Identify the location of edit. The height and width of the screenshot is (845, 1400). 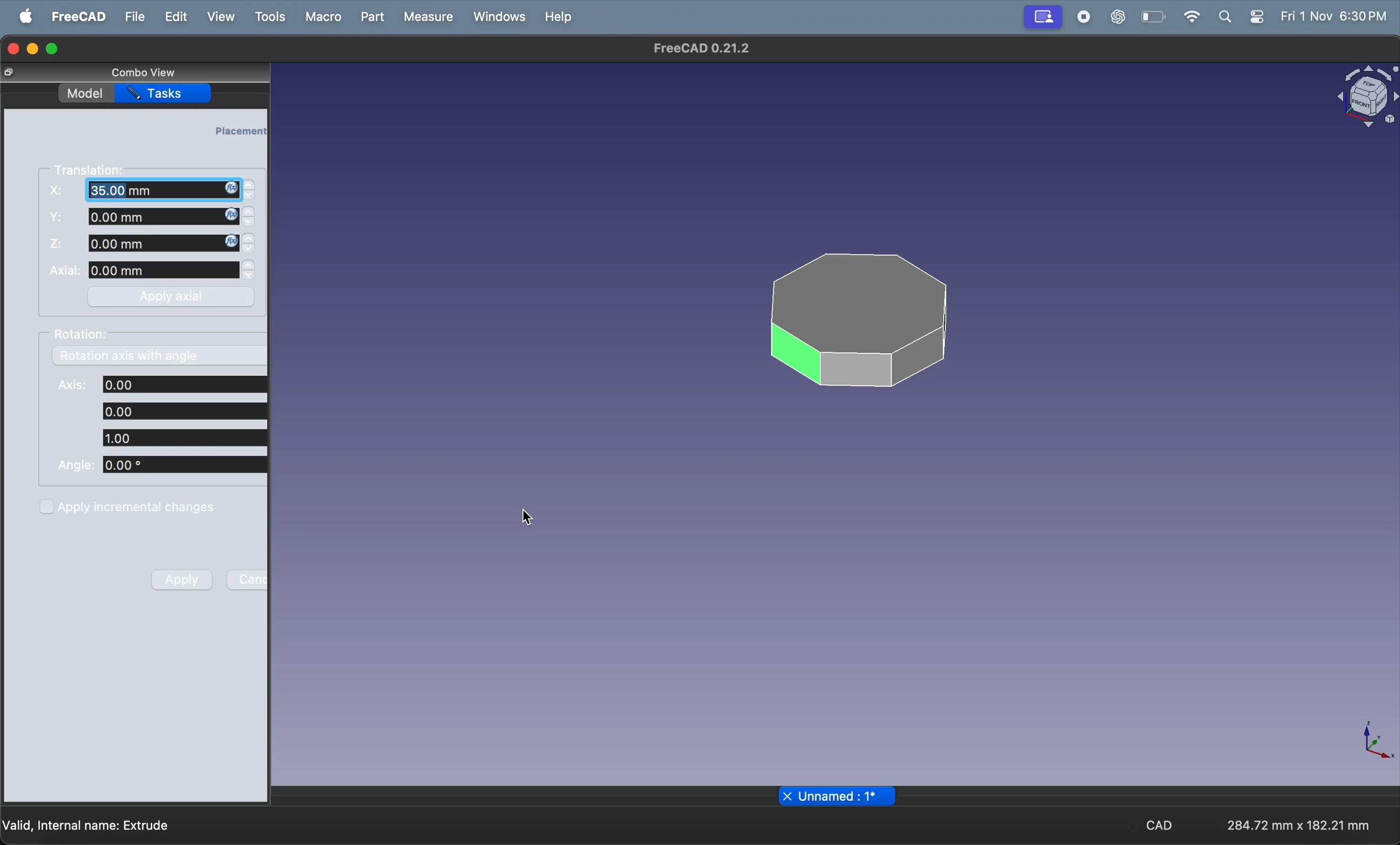
(173, 16).